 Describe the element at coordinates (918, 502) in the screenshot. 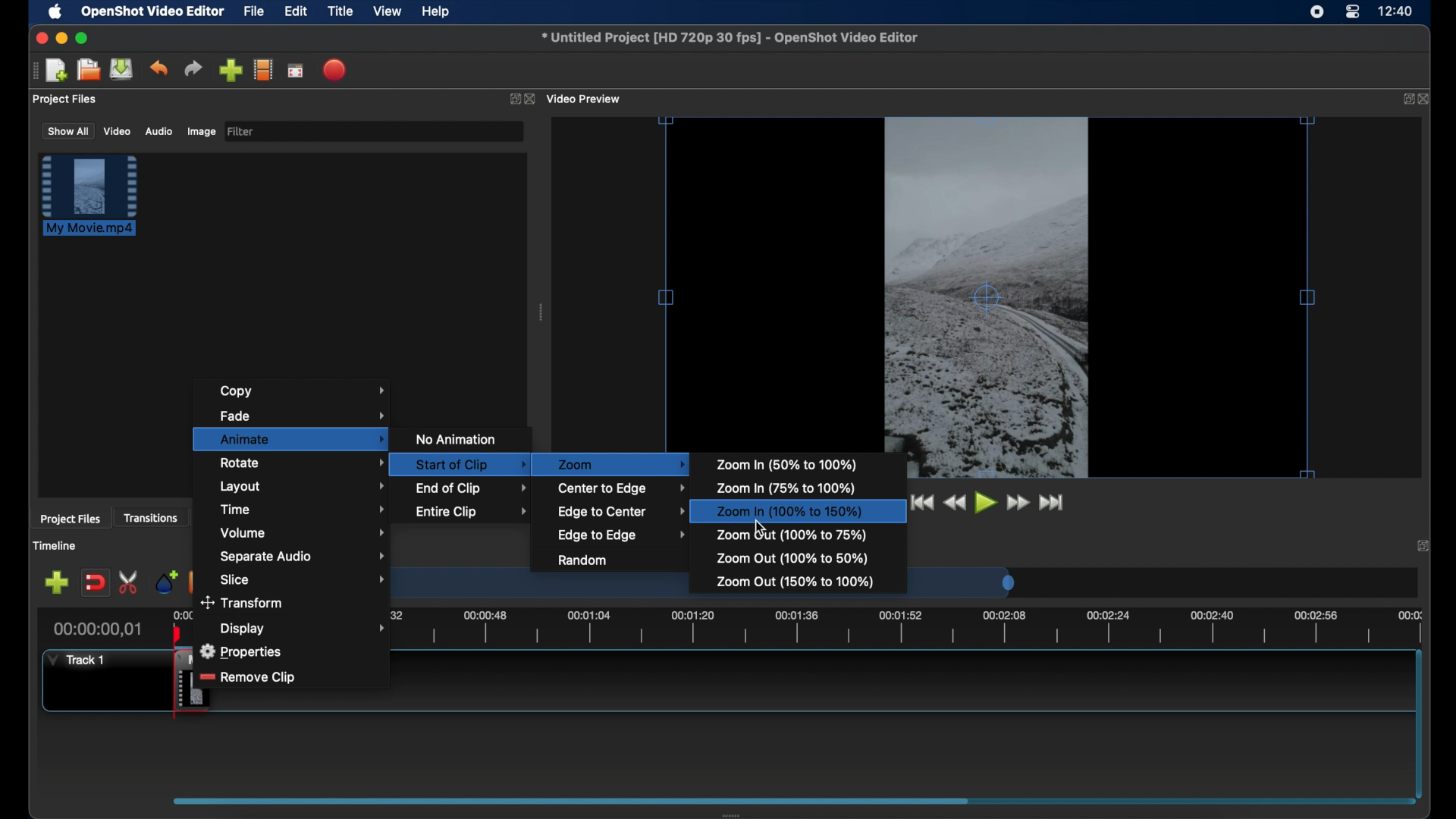

I see `jump to start` at that location.